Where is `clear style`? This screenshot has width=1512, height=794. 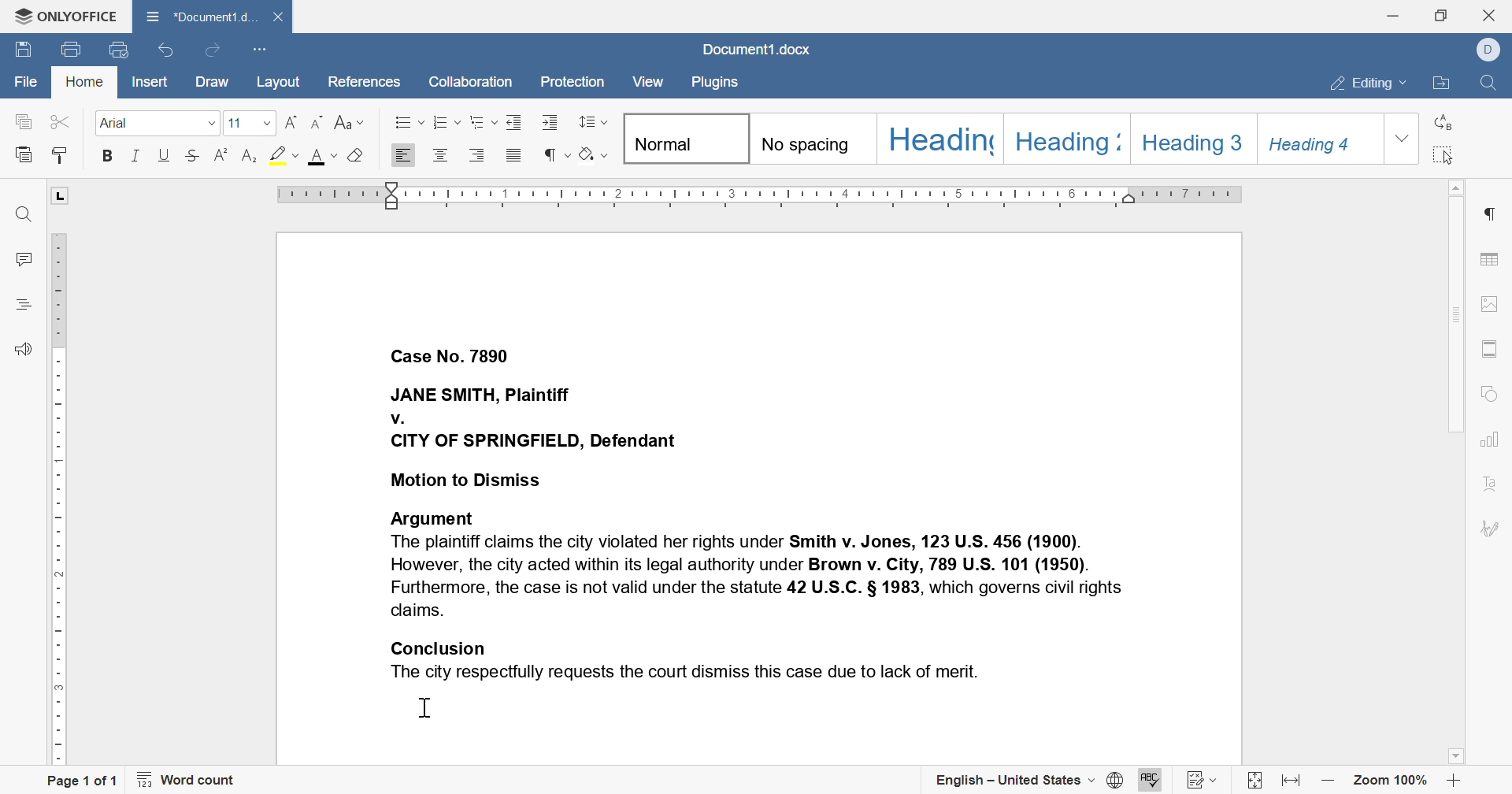 clear style is located at coordinates (358, 158).